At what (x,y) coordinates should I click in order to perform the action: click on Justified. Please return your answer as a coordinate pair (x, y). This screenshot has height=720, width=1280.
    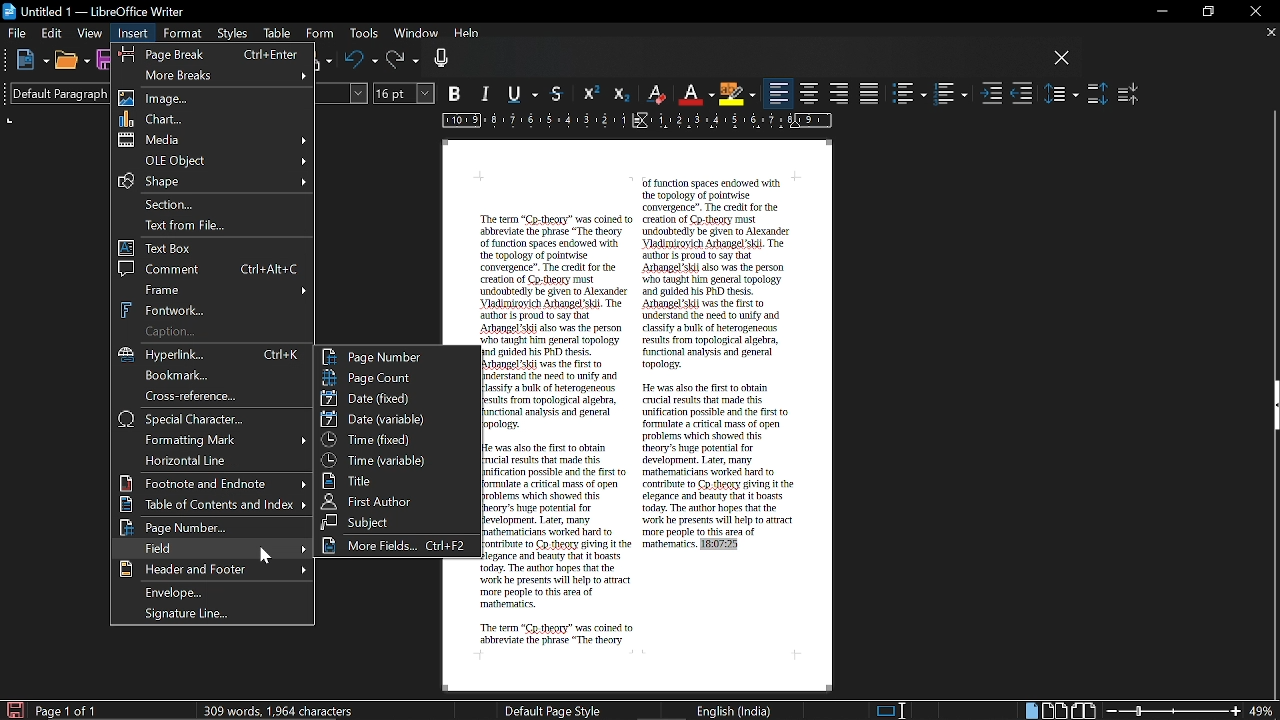
    Looking at the image, I should click on (870, 93).